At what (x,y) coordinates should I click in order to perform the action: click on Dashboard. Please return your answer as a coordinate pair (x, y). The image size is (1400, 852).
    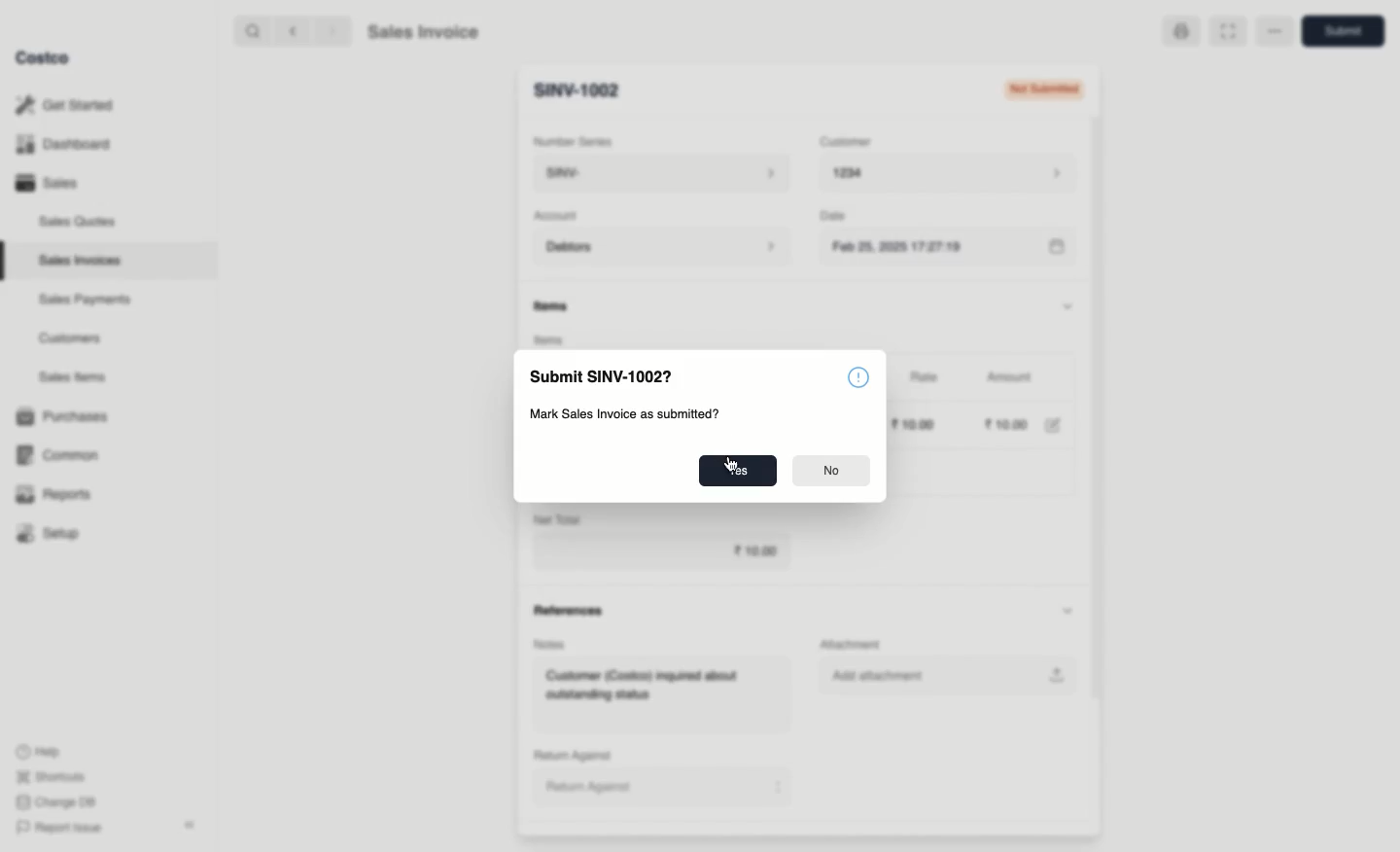
    Looking at the image, I should click on (68, 142).